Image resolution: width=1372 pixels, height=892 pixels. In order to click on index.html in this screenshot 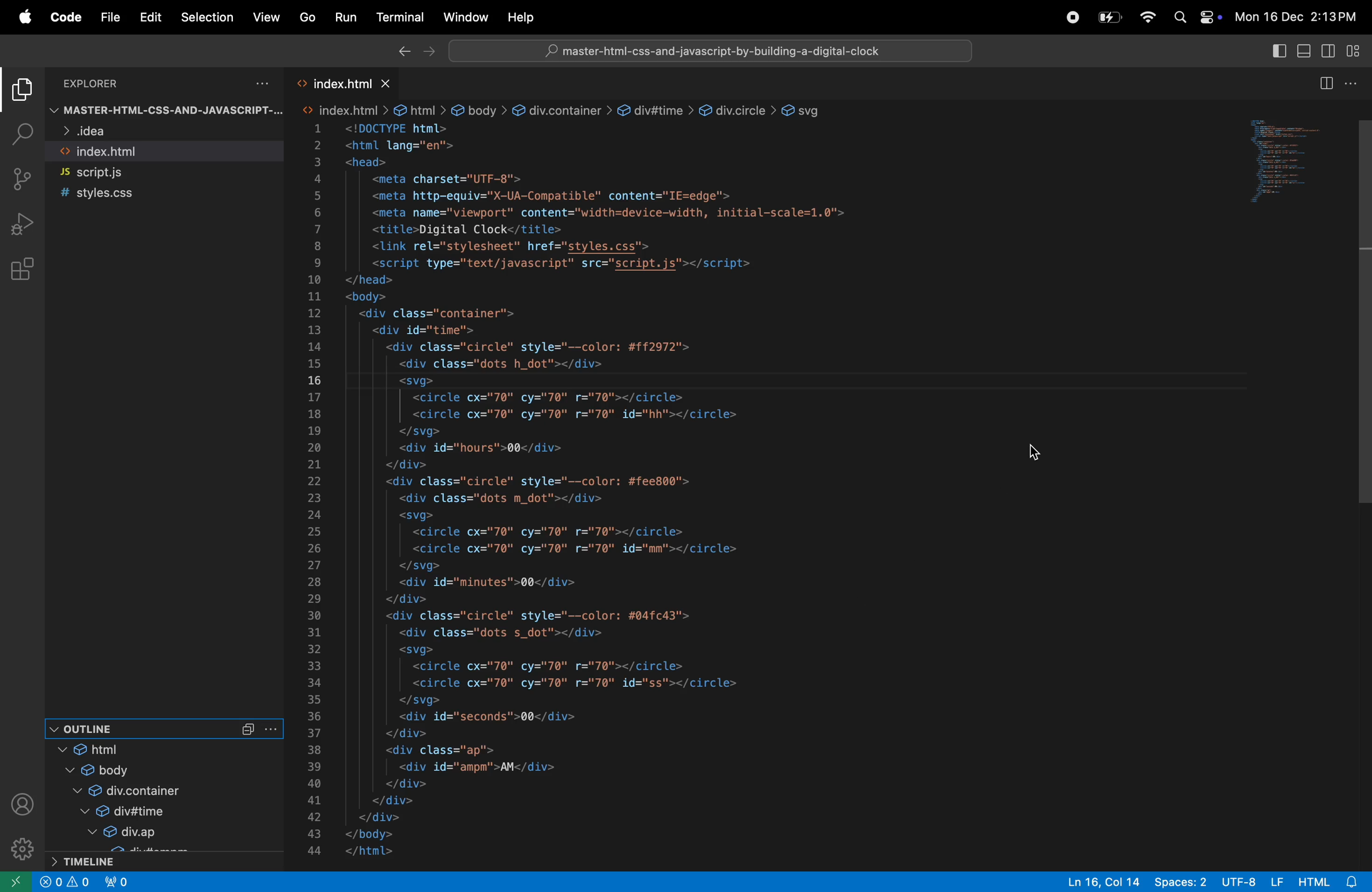, I will do `click(163, 152)`.